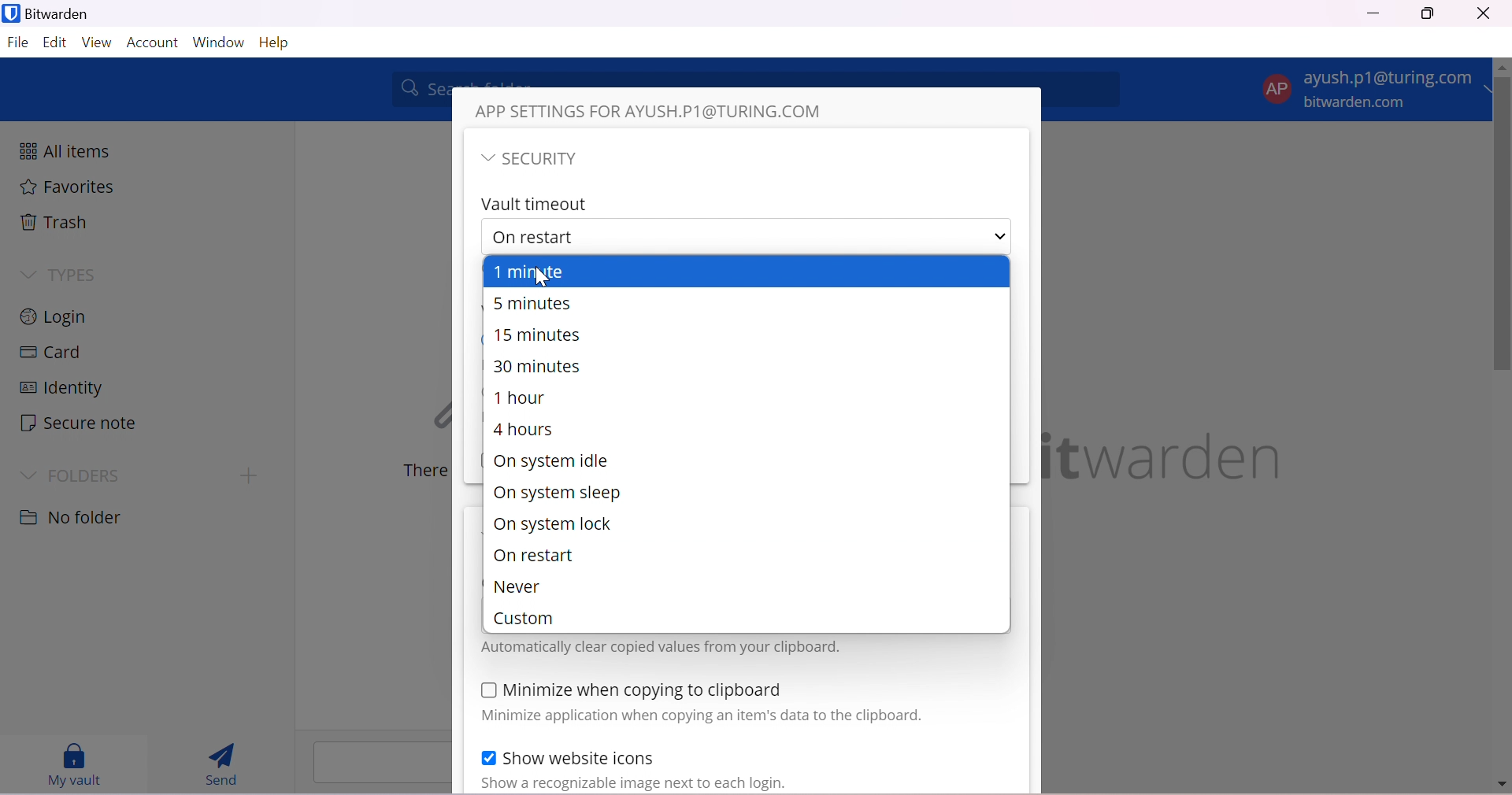  What do you see at coordinates (533, 557) in the screenshot?
I see `On restart` at bounding box center [533, 557].